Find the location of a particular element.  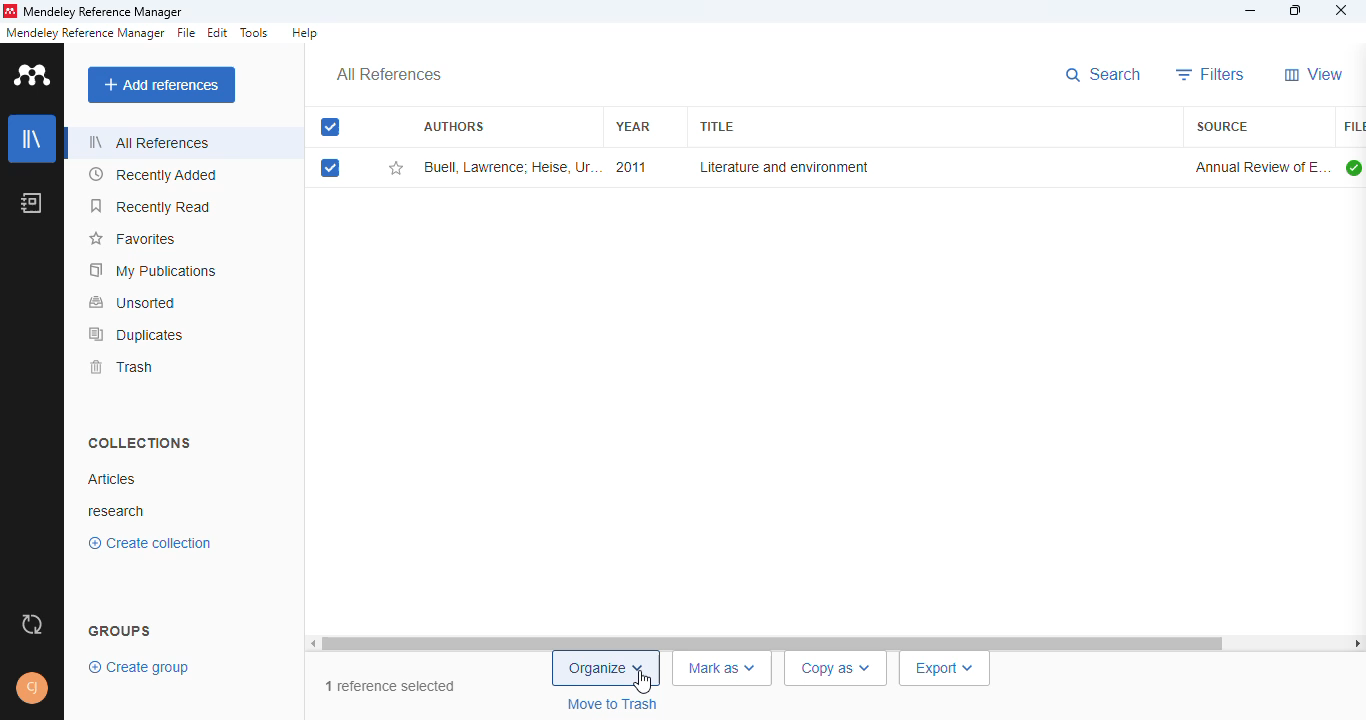

logo is located at coordinates (9, 11).